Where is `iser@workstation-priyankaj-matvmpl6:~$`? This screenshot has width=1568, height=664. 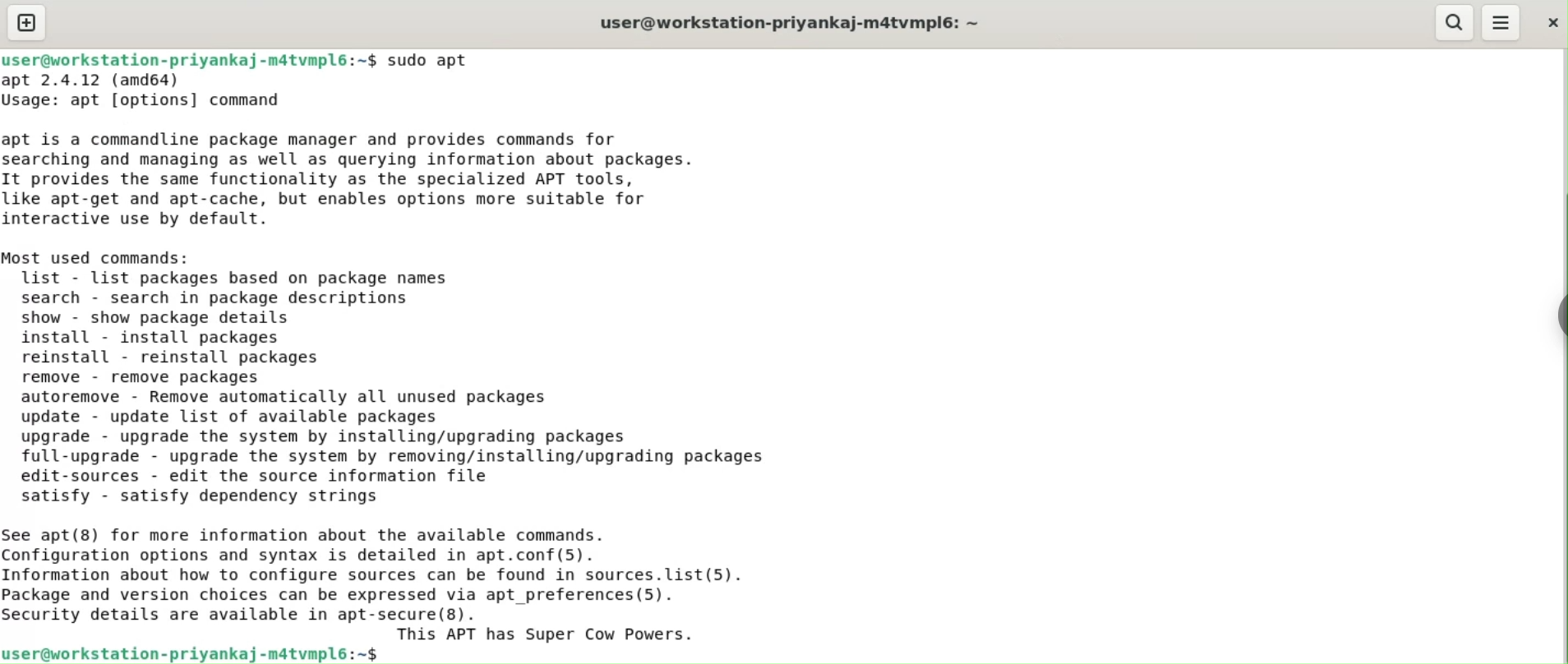
iser@workstation-priyankaj-matvmpl6:~$ is located at coordinates (196, 652).